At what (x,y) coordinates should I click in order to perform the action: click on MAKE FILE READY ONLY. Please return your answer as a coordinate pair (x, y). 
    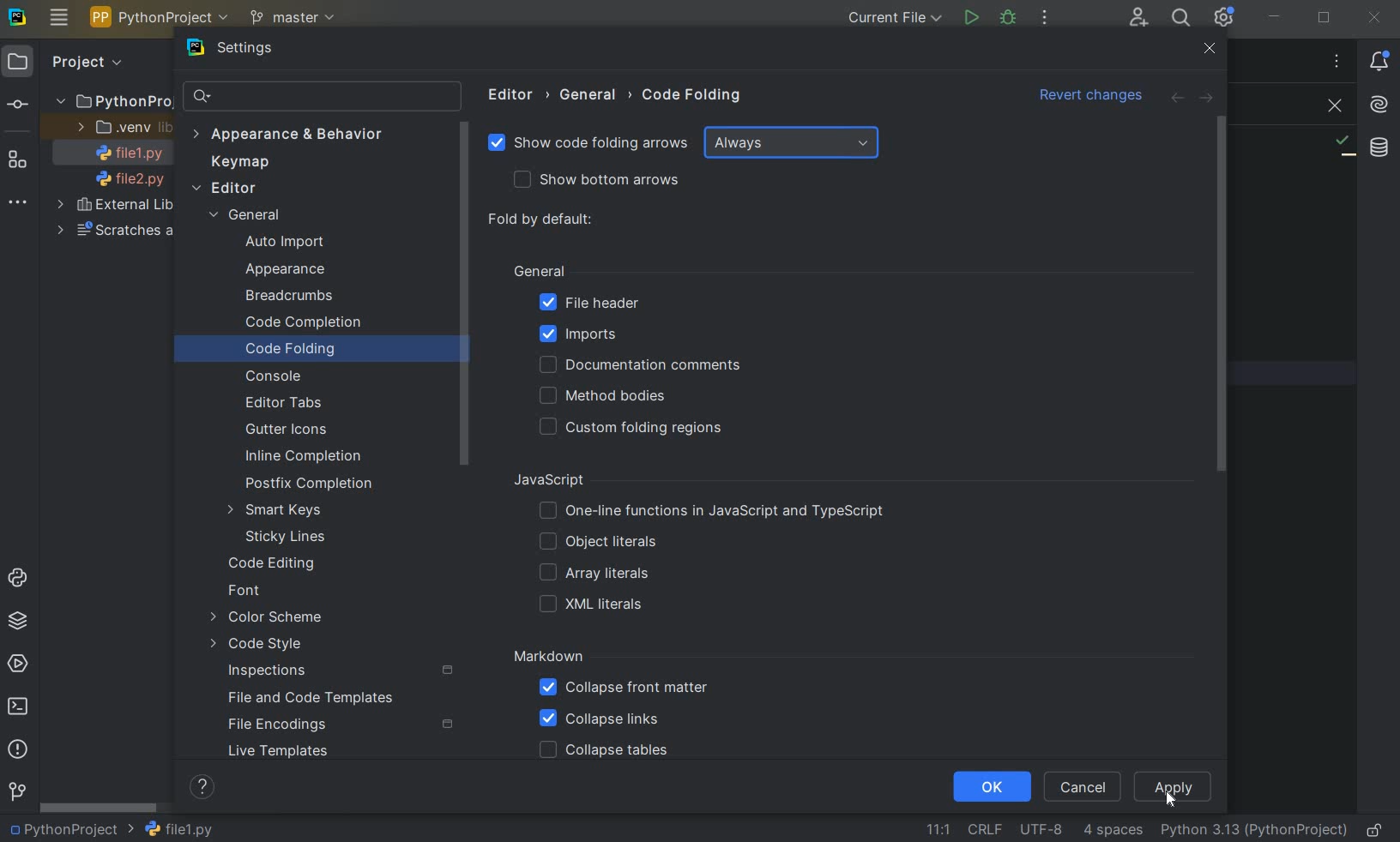
    Looking at the image, I should click on (1378, 830).